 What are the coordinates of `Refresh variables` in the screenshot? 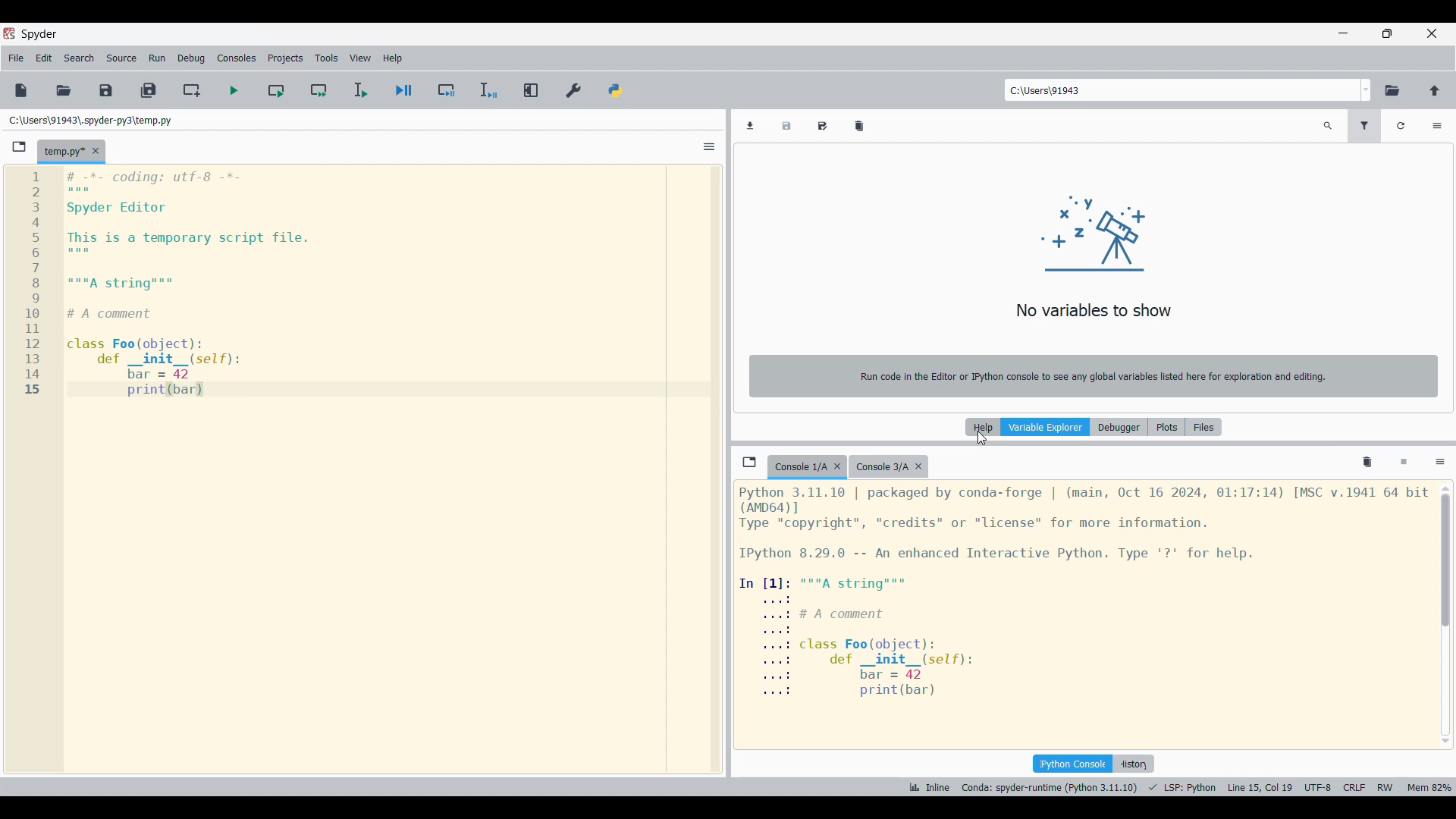 It's located at (1401, 126).